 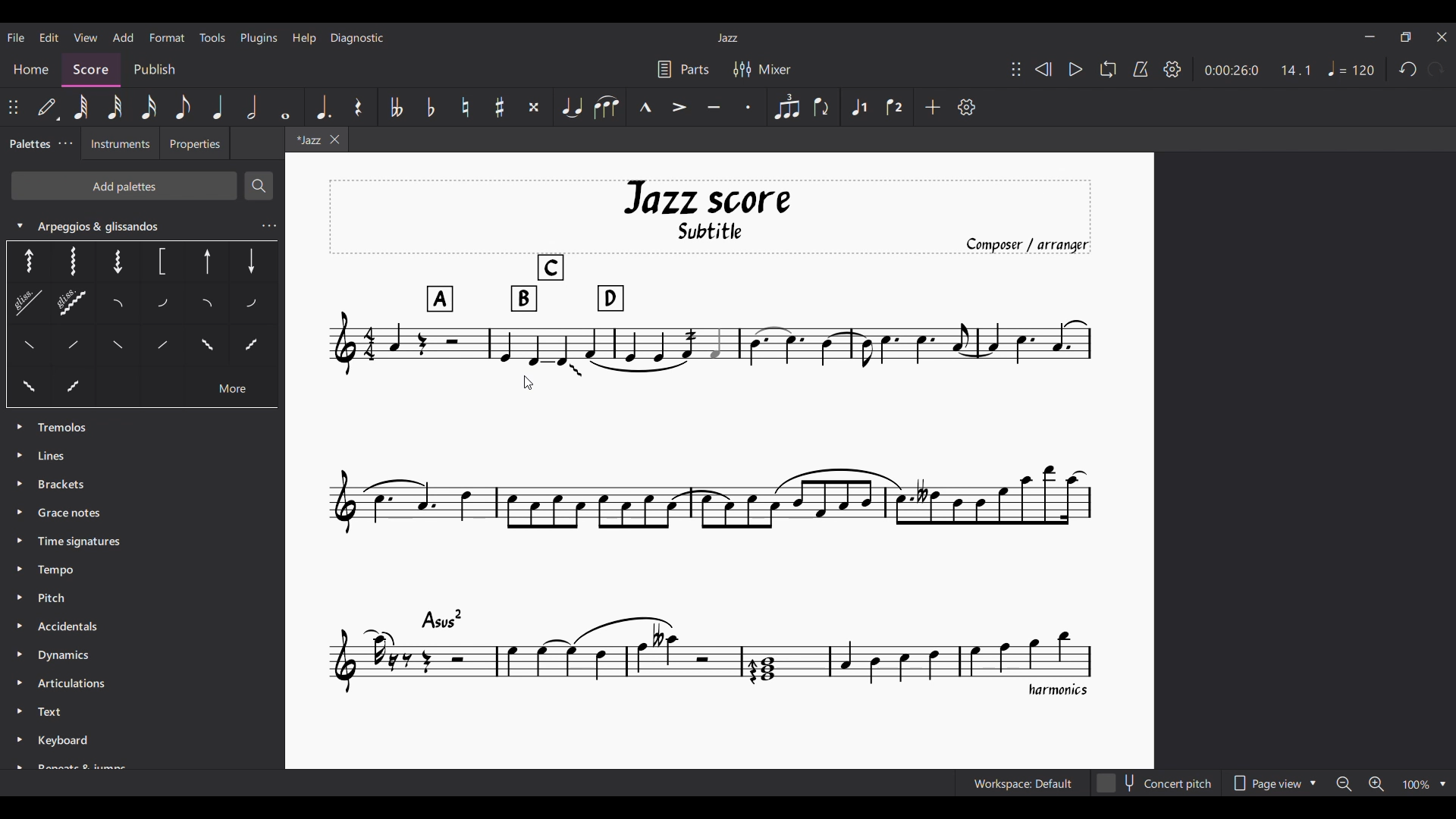 I want to click on Properties, so click(x=198, y=146).